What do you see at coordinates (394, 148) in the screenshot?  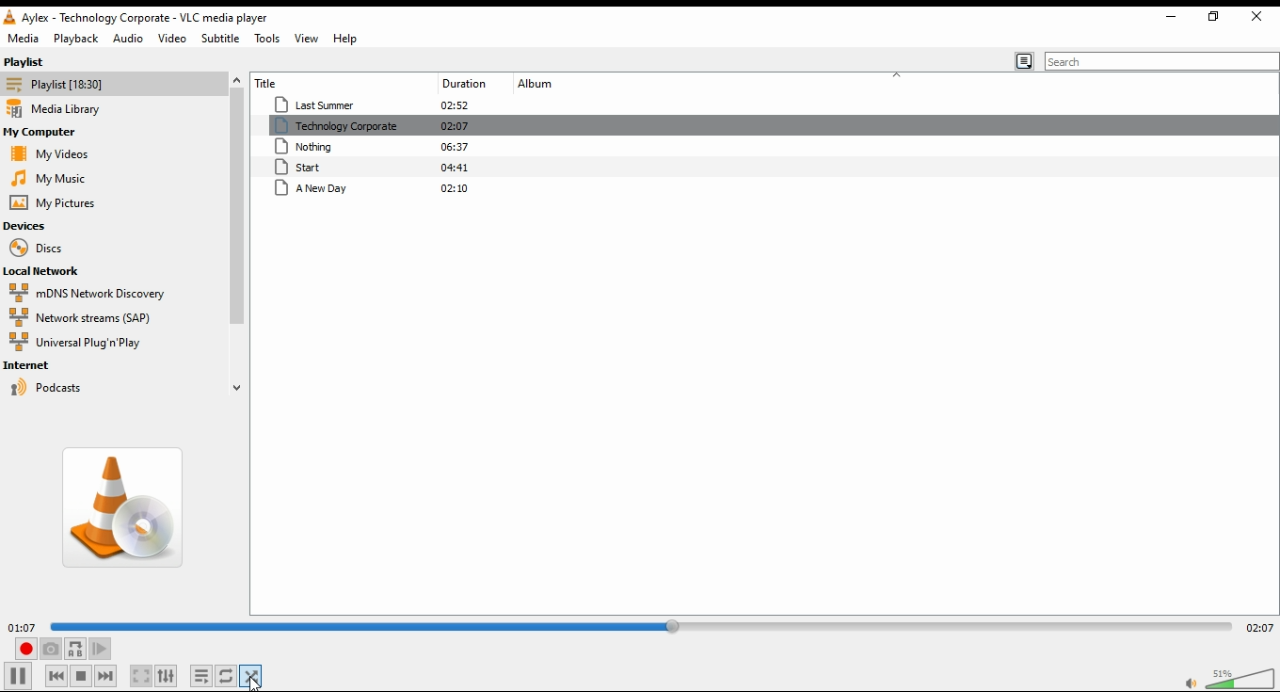 I see `nothing` at bounding box center [394, 148].